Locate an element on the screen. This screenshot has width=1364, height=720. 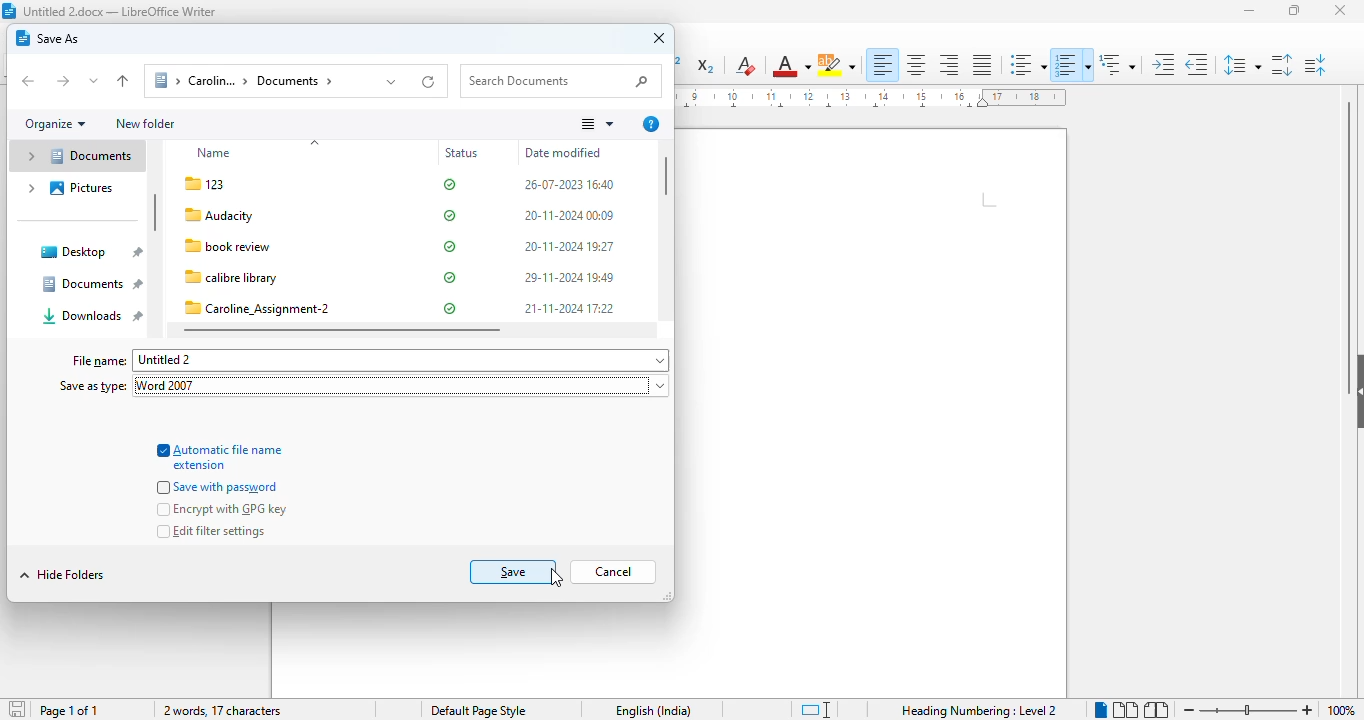
align left is located at coordinates (884, 65).